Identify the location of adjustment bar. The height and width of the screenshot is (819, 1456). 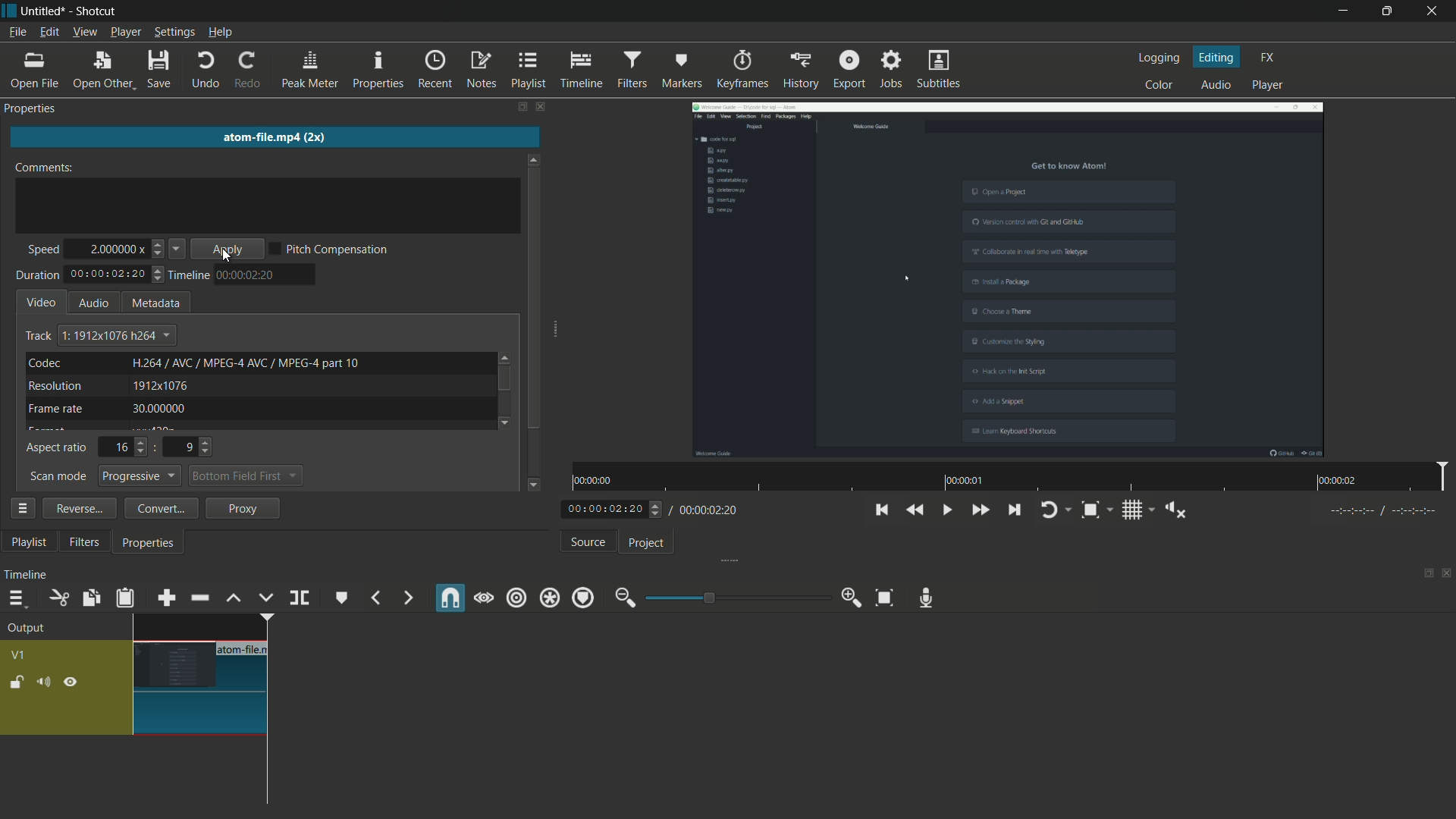
(736, 596).